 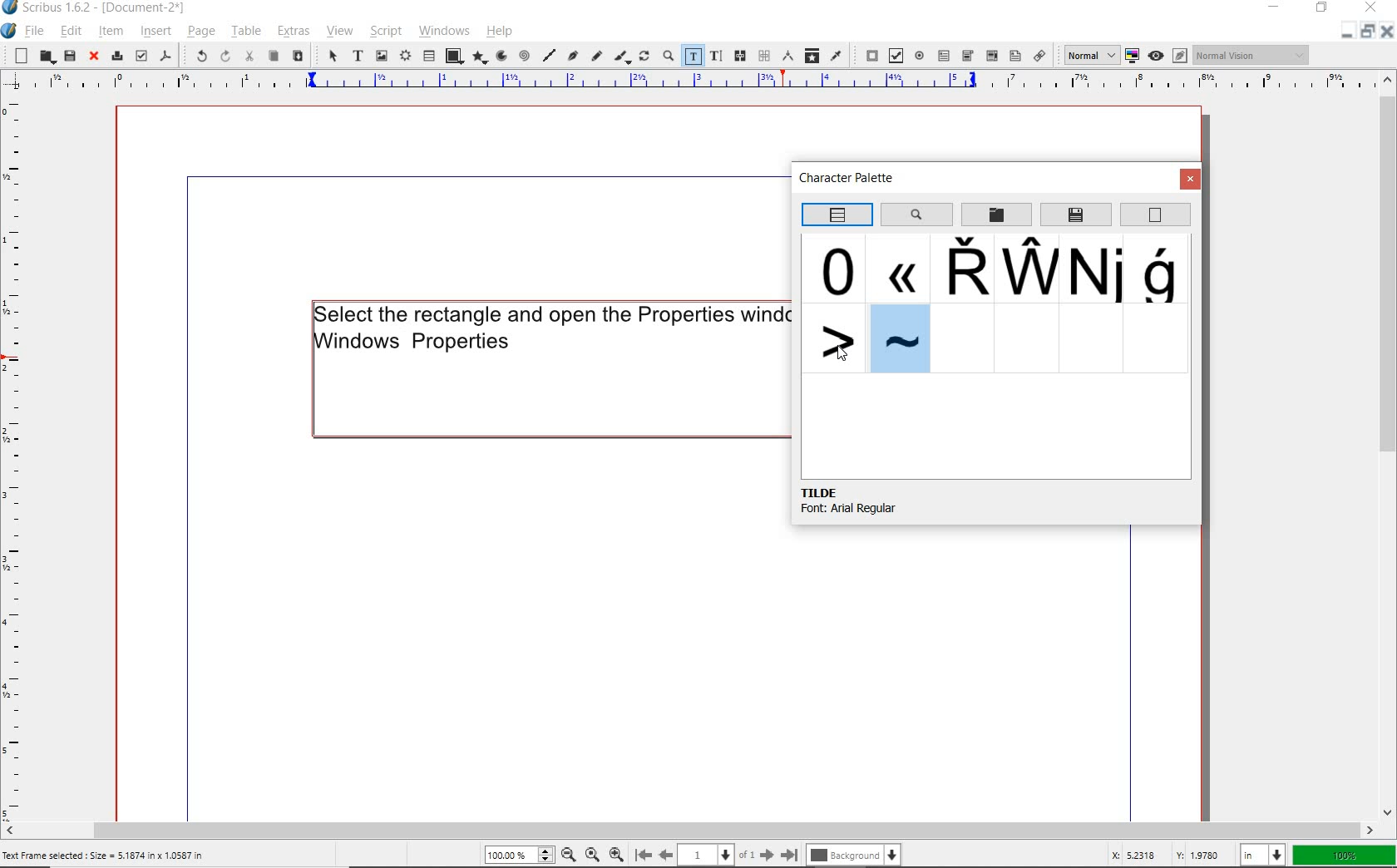 What do you see at coordinates (856, 853) in the screenshot?
I see `Background` at bounding box center [856, 853].